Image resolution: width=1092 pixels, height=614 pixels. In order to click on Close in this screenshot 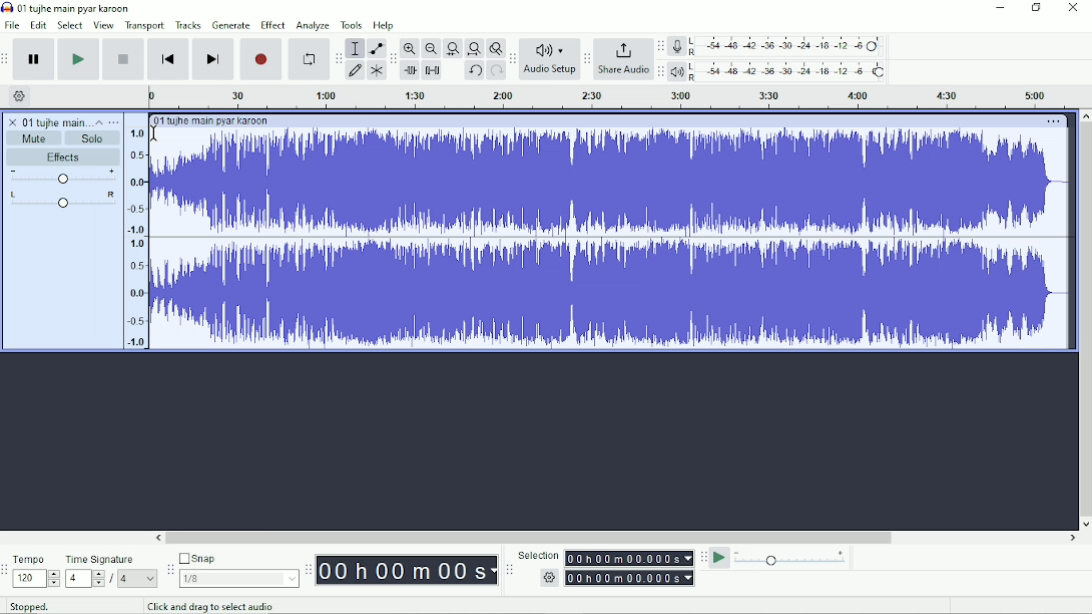, I will do `click(1072, 8)`.